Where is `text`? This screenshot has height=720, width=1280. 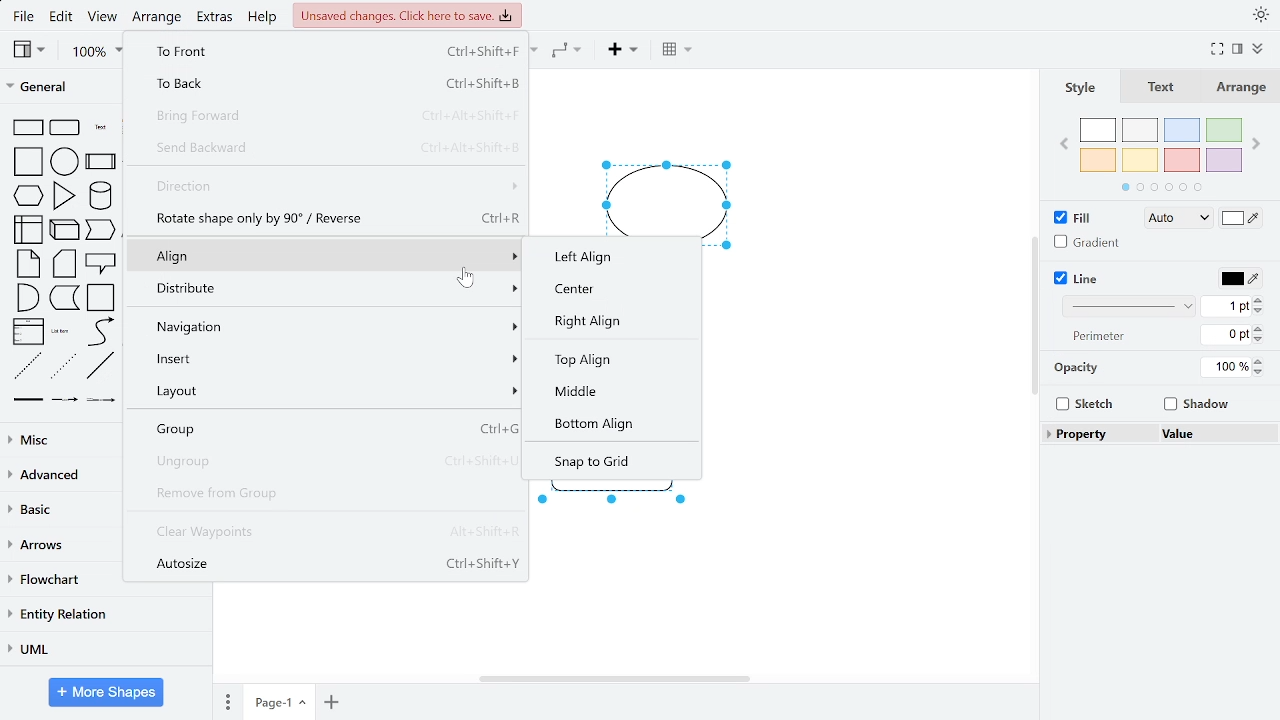
text is located at coordinates (101, 127).